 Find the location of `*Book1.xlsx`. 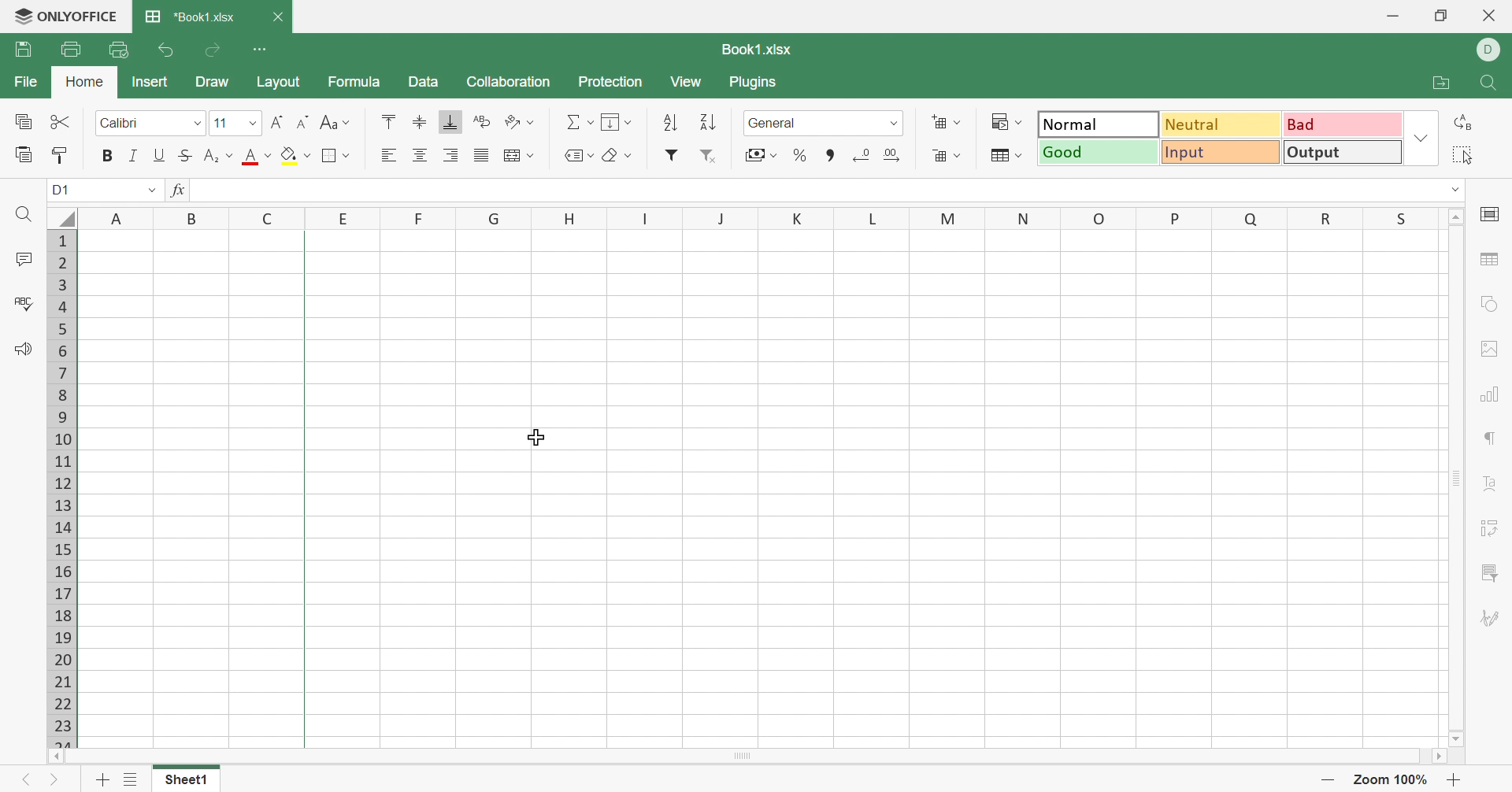

*Book1.xlsx is located at coordinates (190, 13).